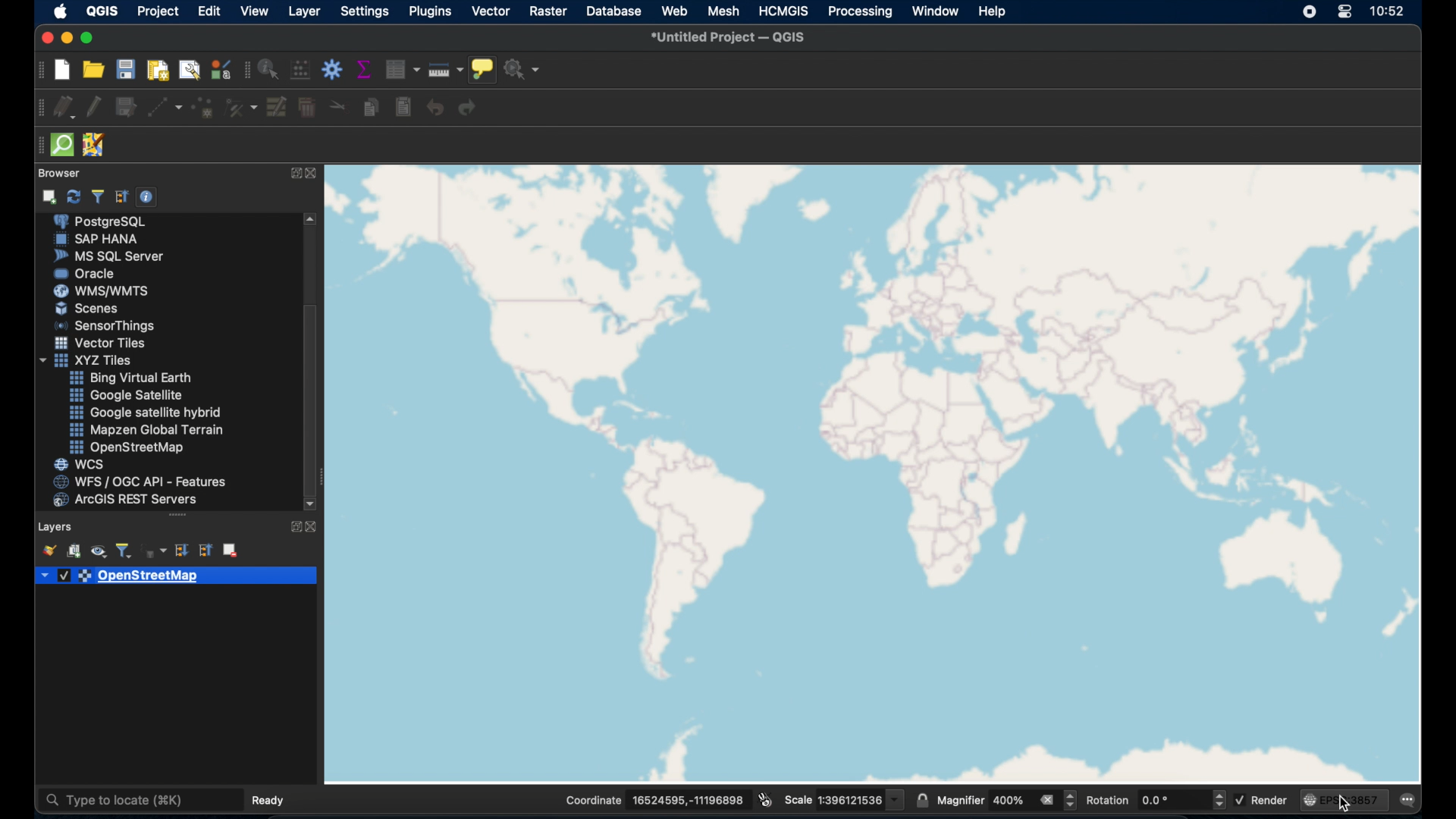 This screenshot has width=1456, height=819. Describe the element at coordinates (101, 344) in the screenshot. I see `vector tiles` at that location.